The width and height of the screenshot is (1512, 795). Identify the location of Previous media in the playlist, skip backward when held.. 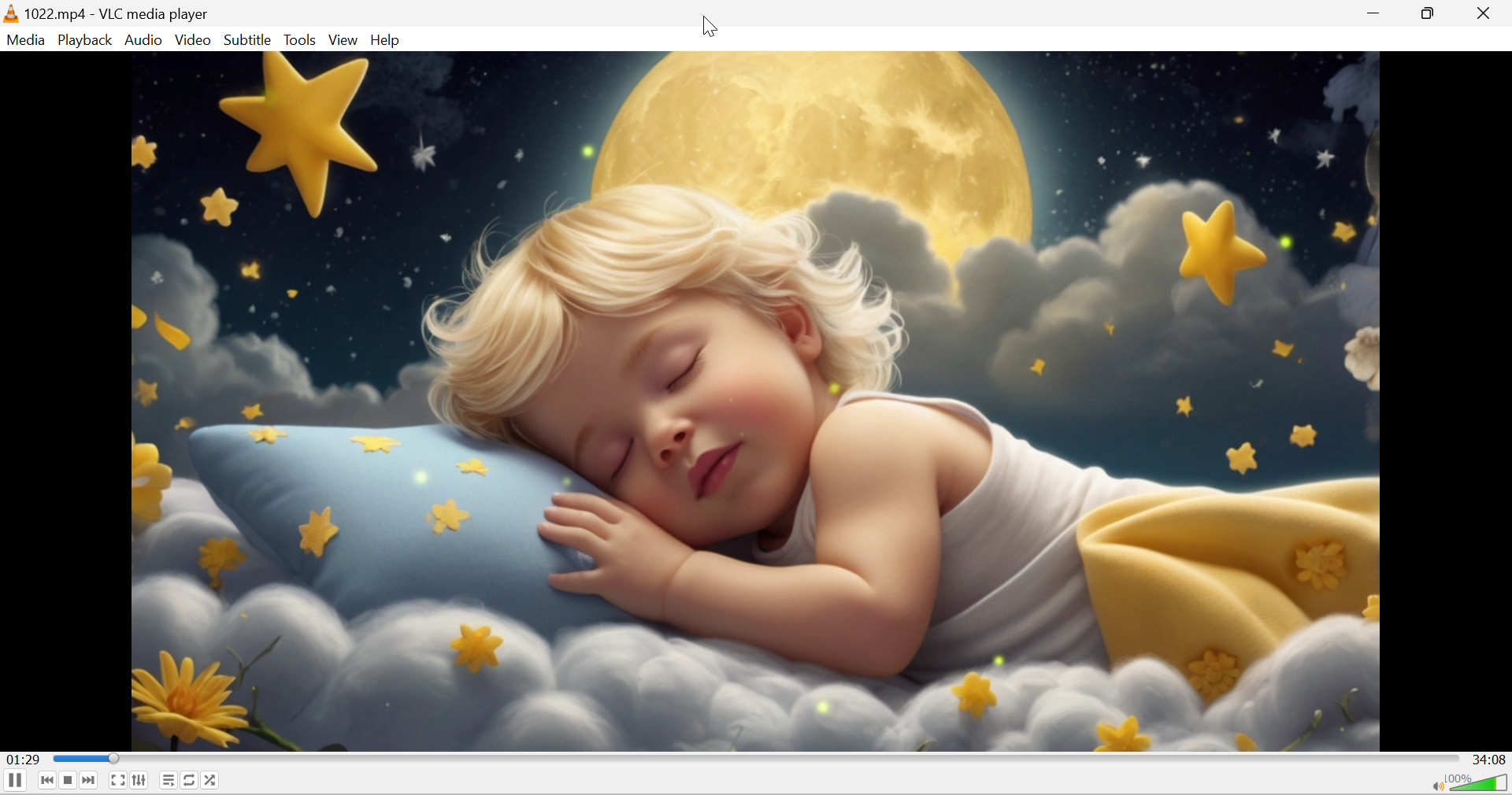
(50, 782).